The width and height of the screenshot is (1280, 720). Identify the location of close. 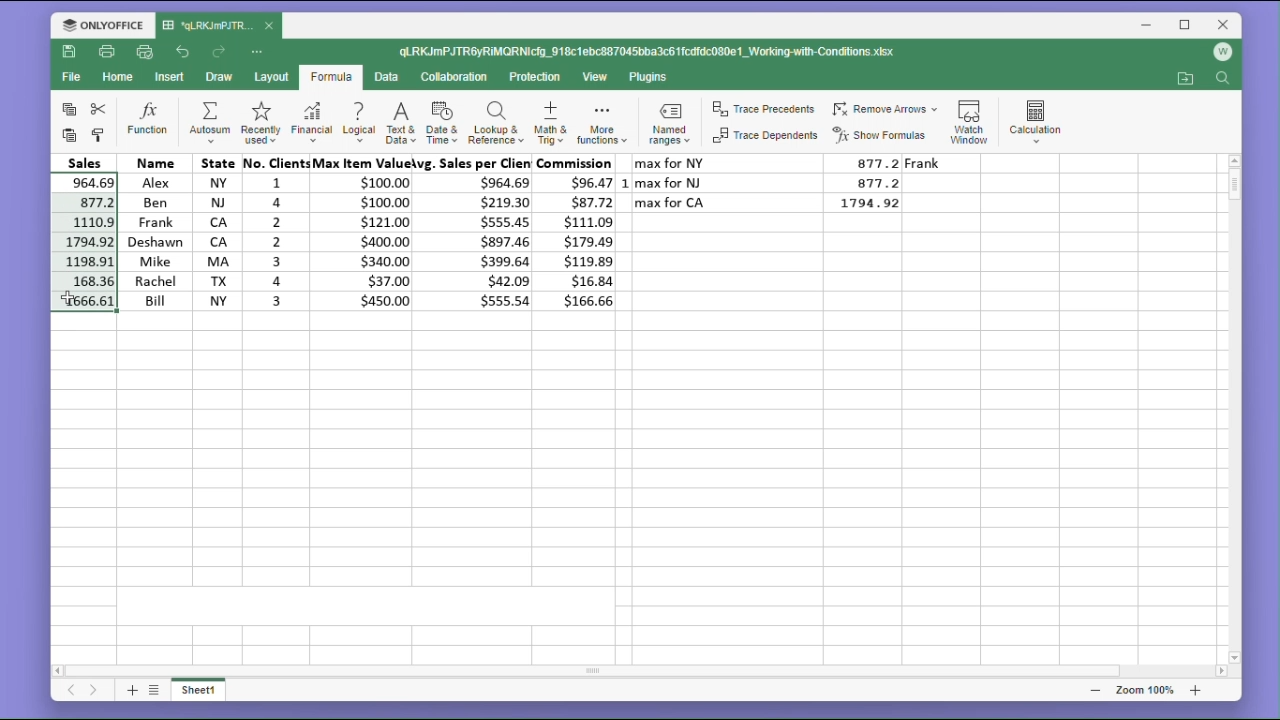
(1224, 24).